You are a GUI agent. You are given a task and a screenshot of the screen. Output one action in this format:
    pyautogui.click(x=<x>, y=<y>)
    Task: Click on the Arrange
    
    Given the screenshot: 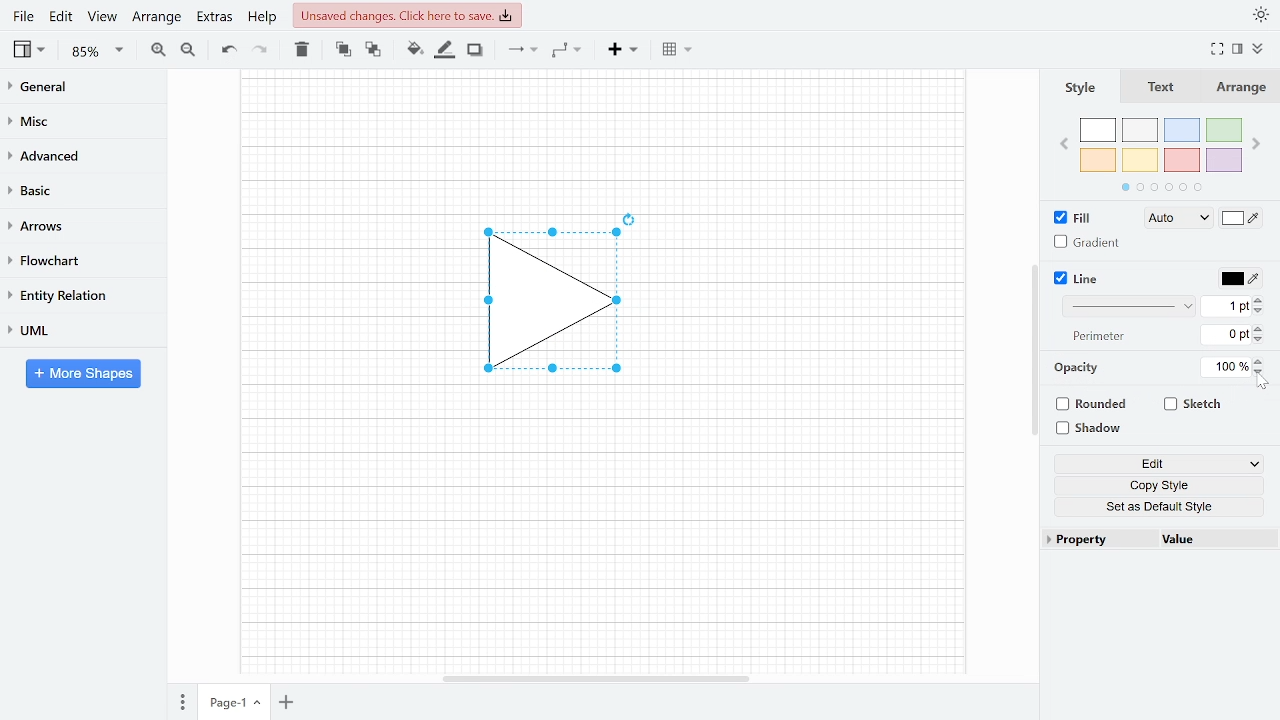 What is the action you would take?
    pyautogui.click(x=1239, y=87)
    